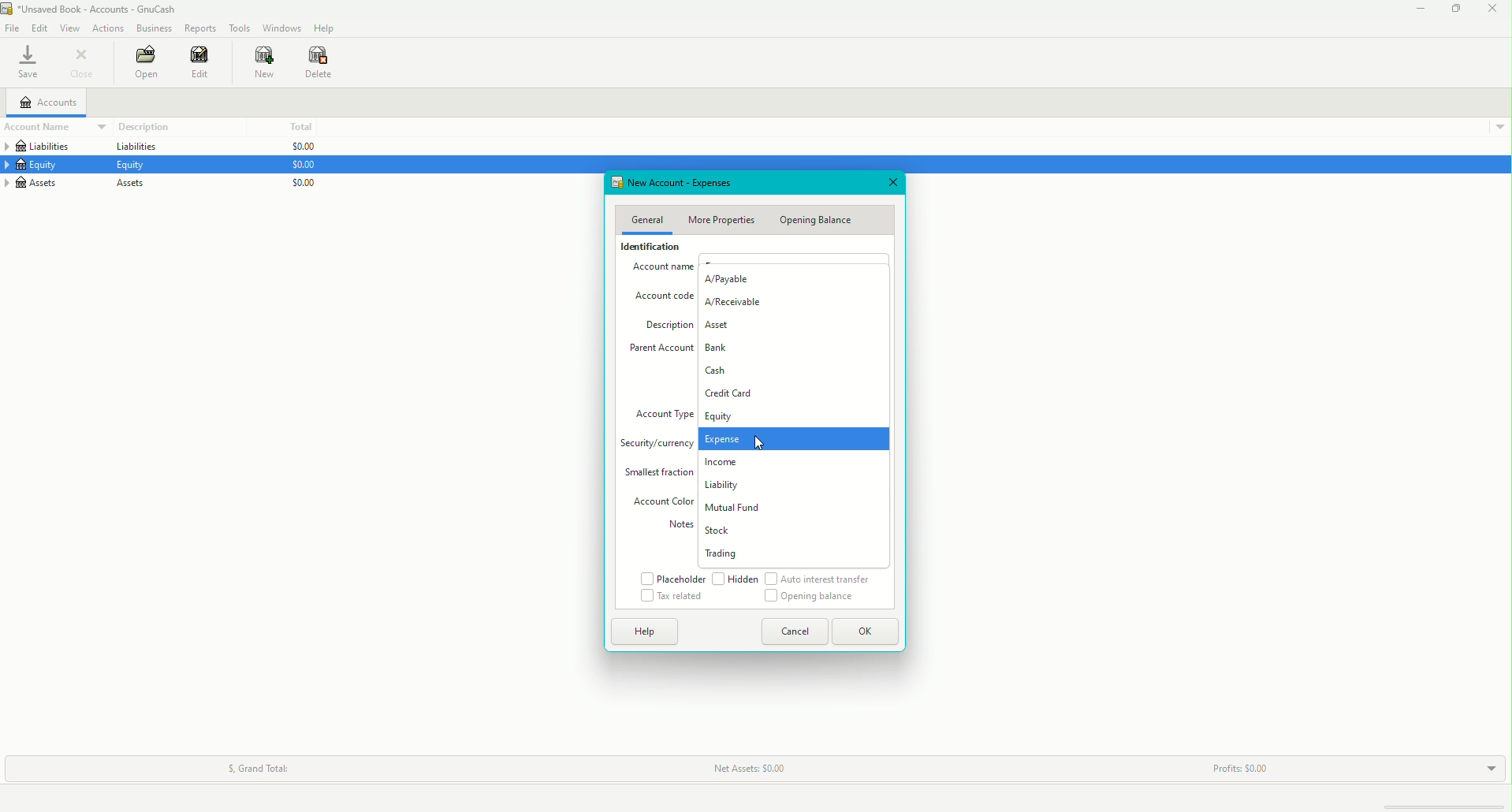 The image size is (1512, 812). I want to click on Delete, so click(322, 62).